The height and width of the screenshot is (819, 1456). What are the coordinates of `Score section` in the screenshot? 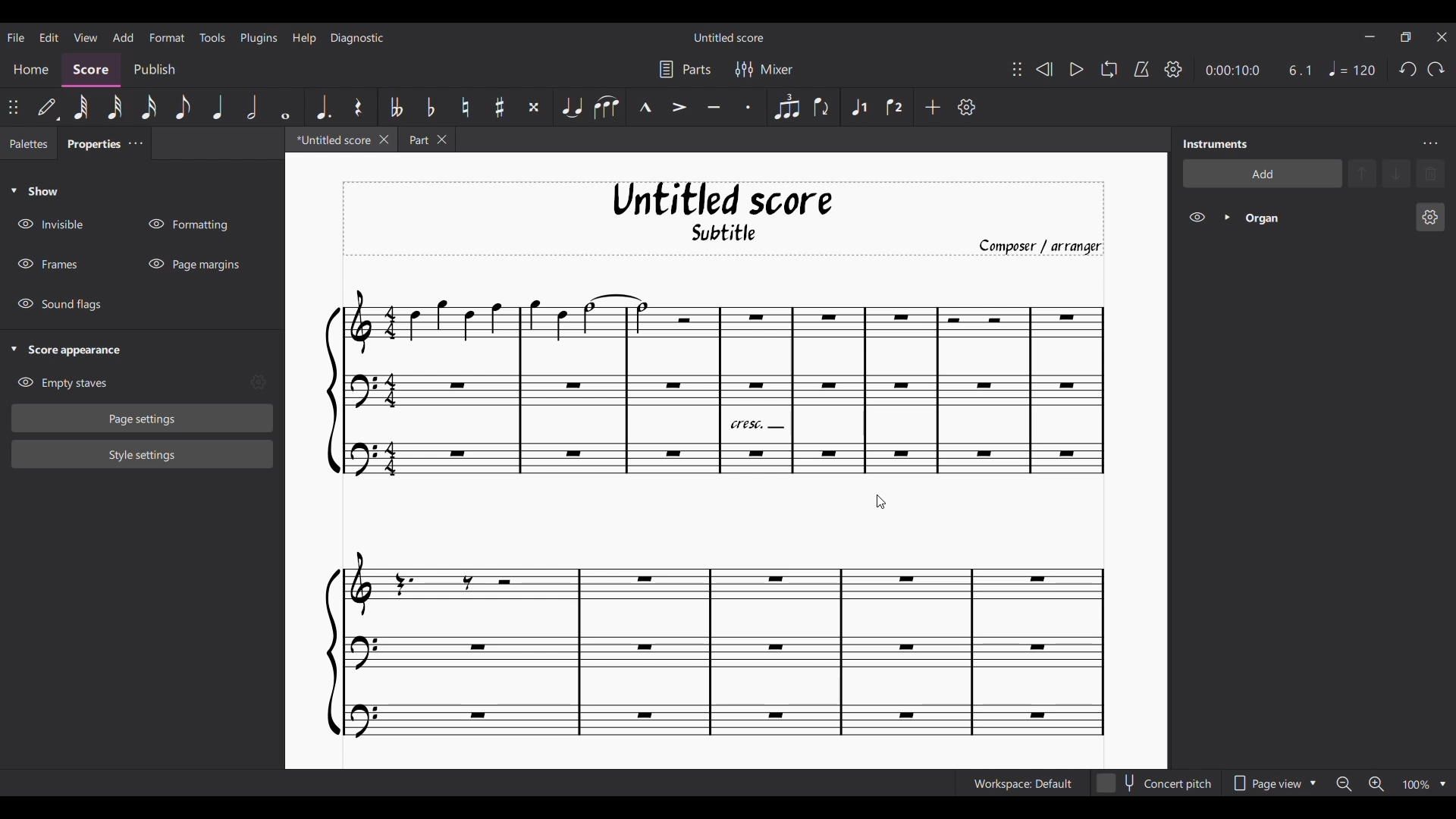 It's located at (90, 71).